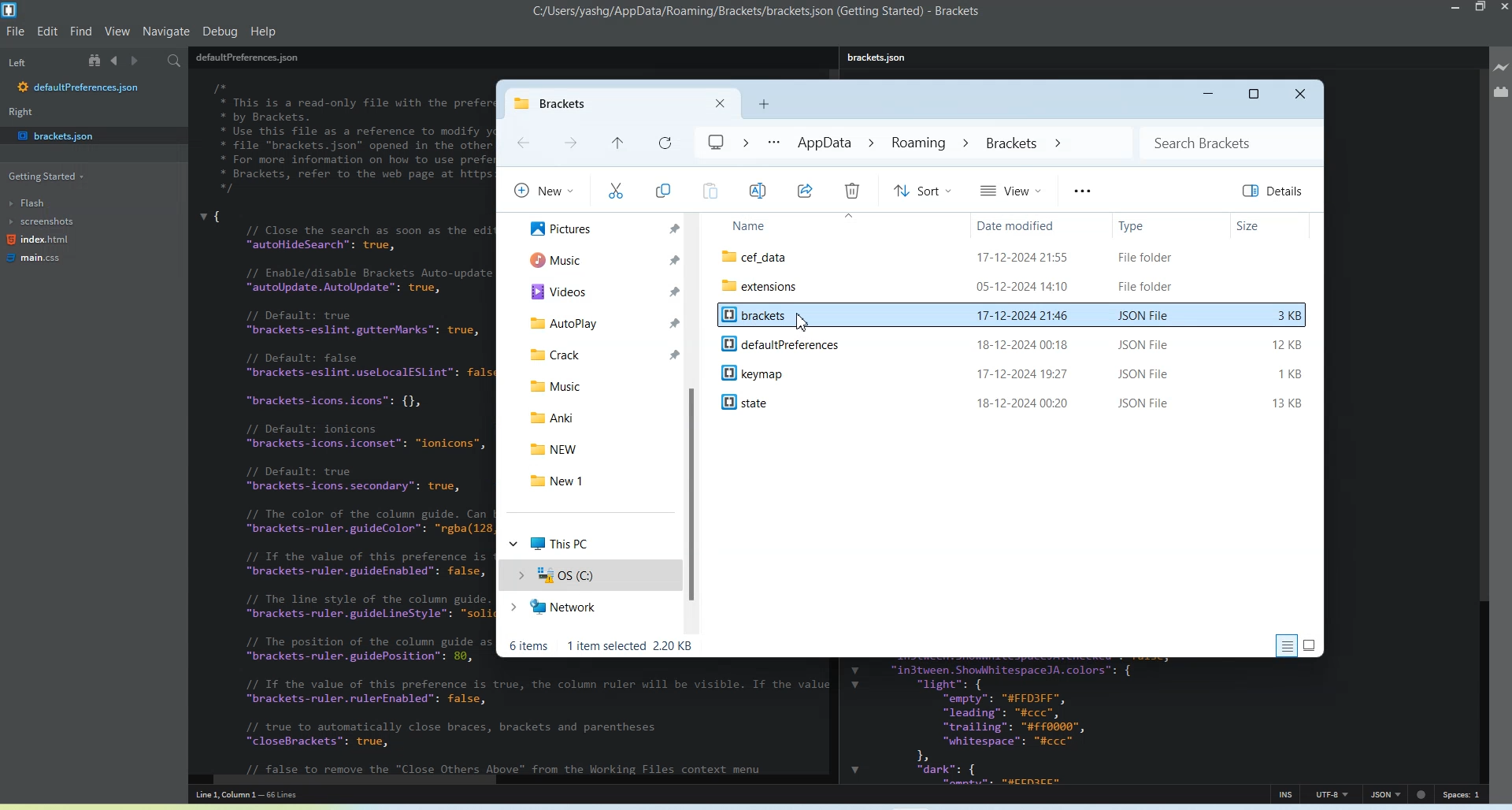 The width and height of the screenshot is (1512, 810). I want to click on Music, so click(599, 259).